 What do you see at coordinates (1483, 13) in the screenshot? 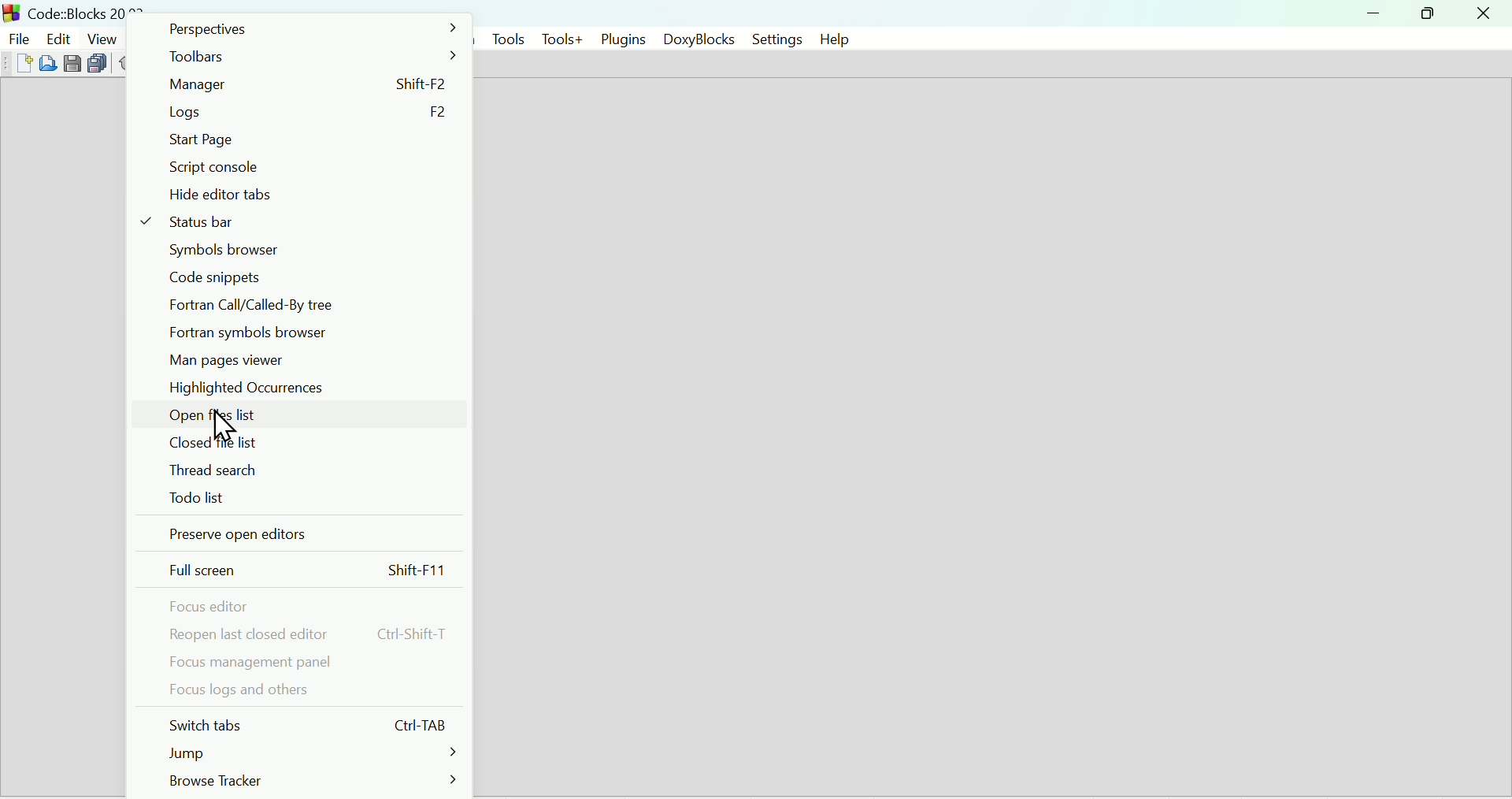
I see `Close` at bounding box center [1483, 13].